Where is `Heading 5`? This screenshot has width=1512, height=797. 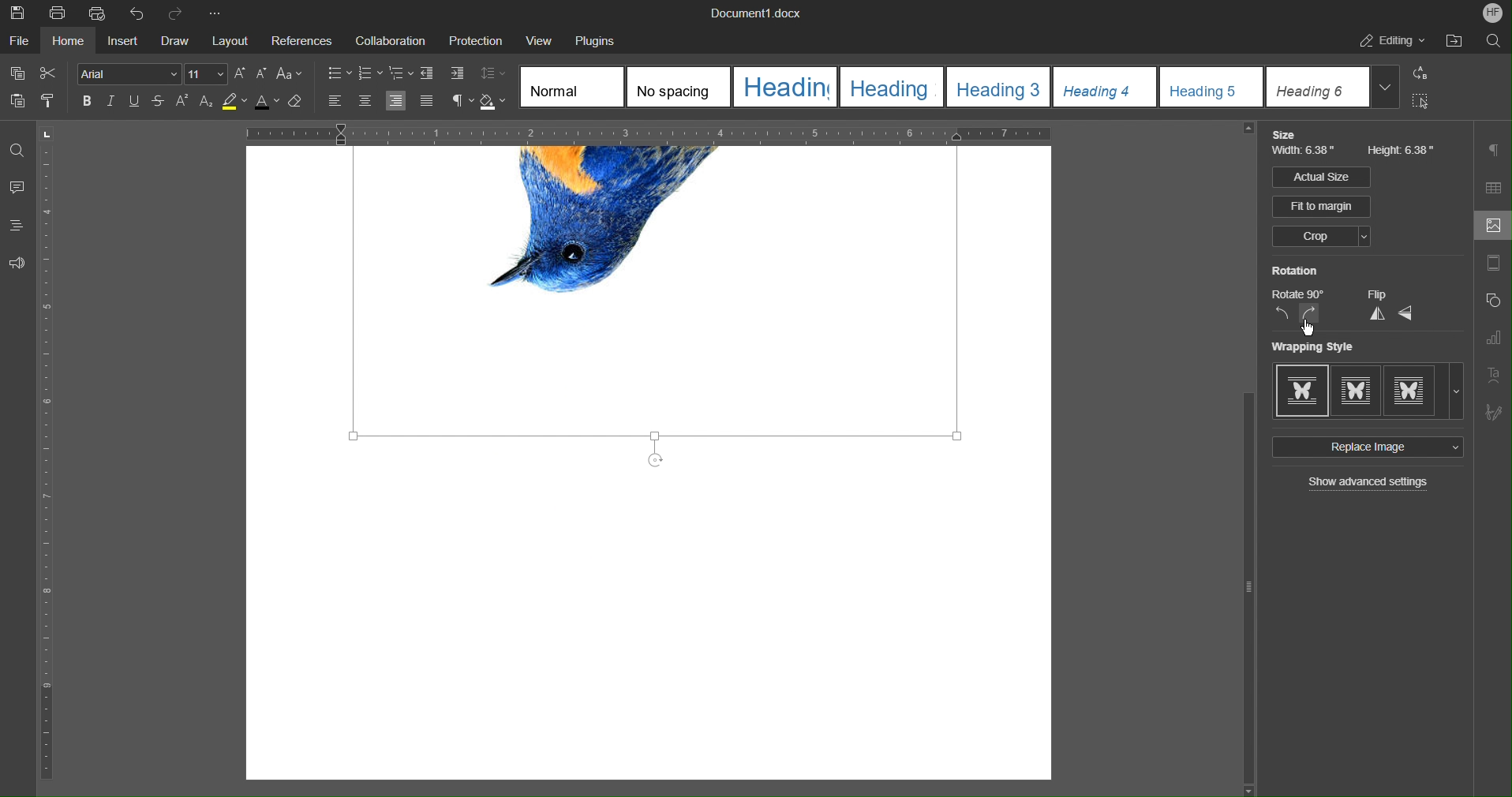
Heading 5 is located at coordinates (1211, 85).